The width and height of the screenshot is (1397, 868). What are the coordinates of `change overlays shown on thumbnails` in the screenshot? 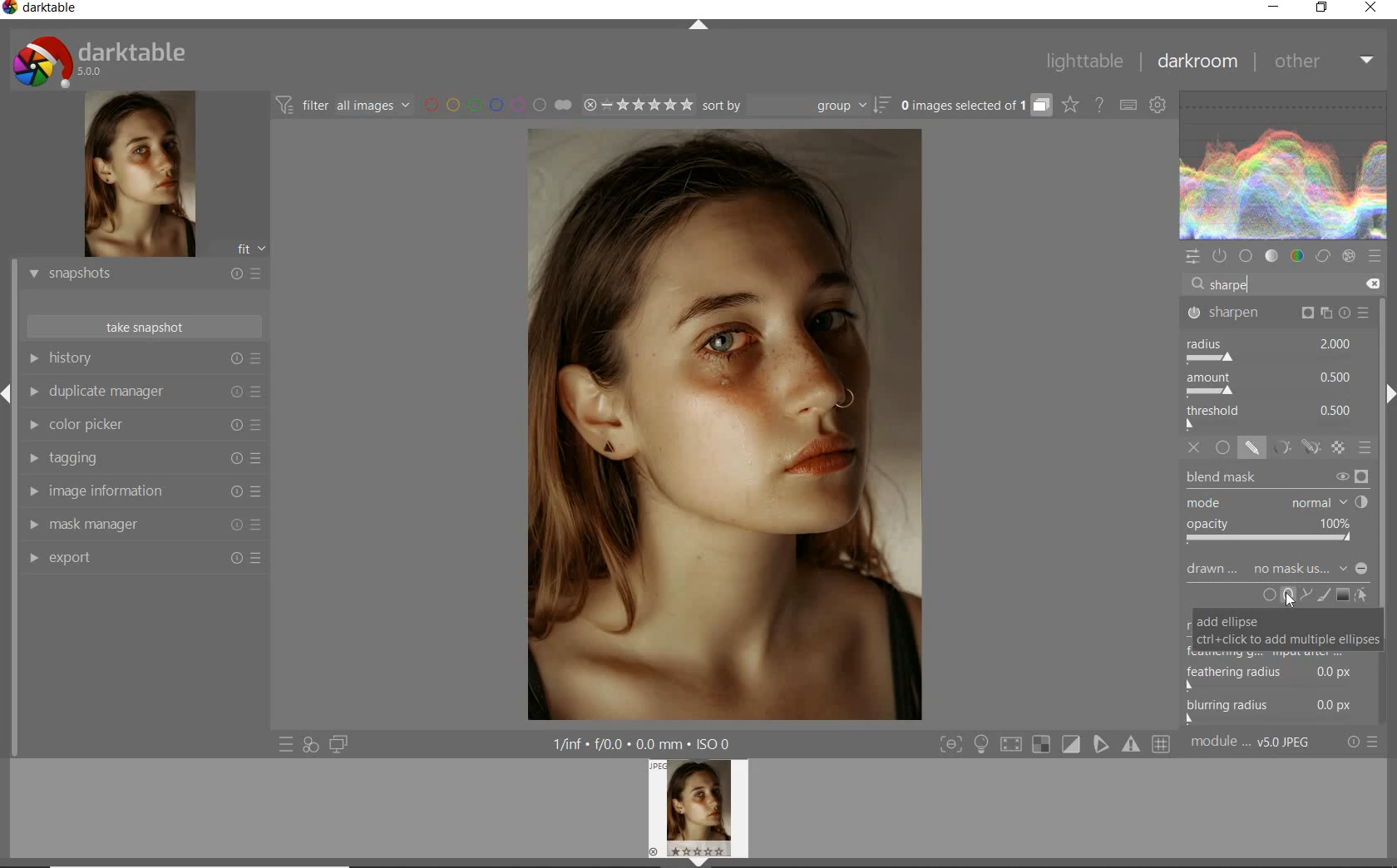 It's located at (1069, 106).